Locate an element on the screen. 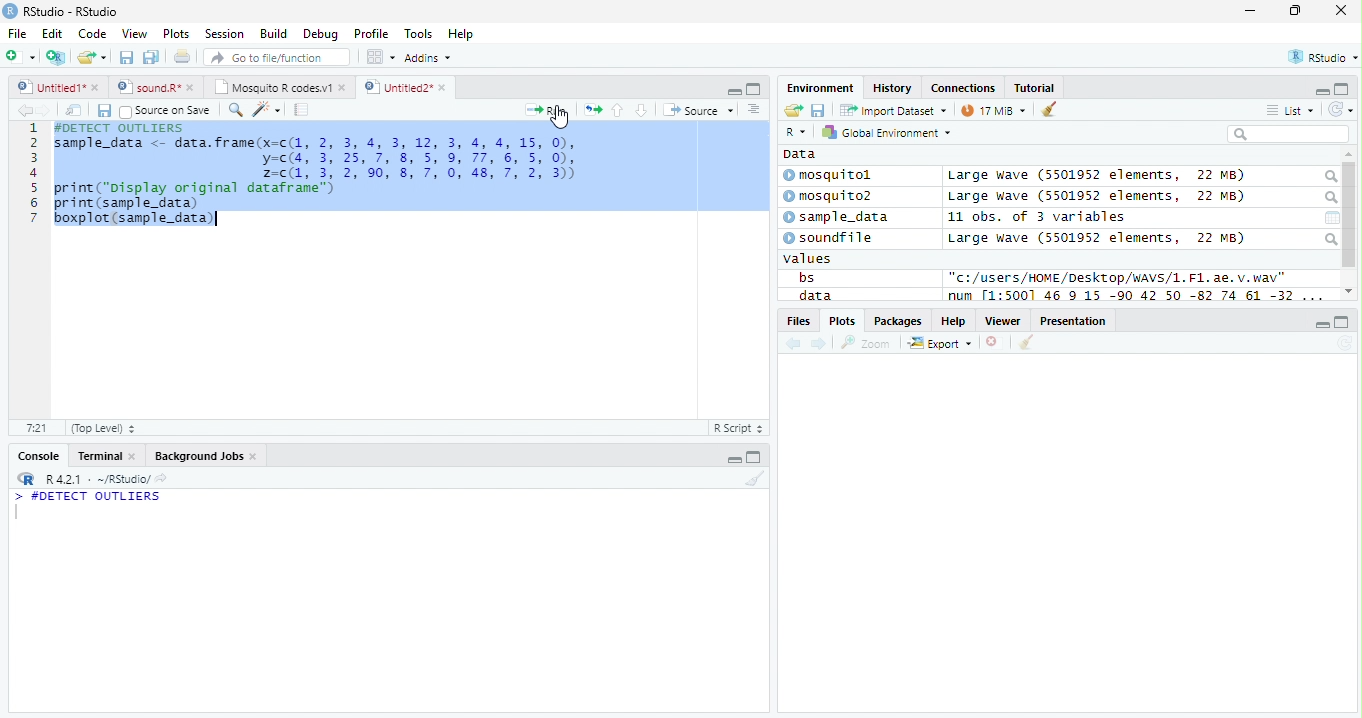  R is located at coordinates (798, 132).